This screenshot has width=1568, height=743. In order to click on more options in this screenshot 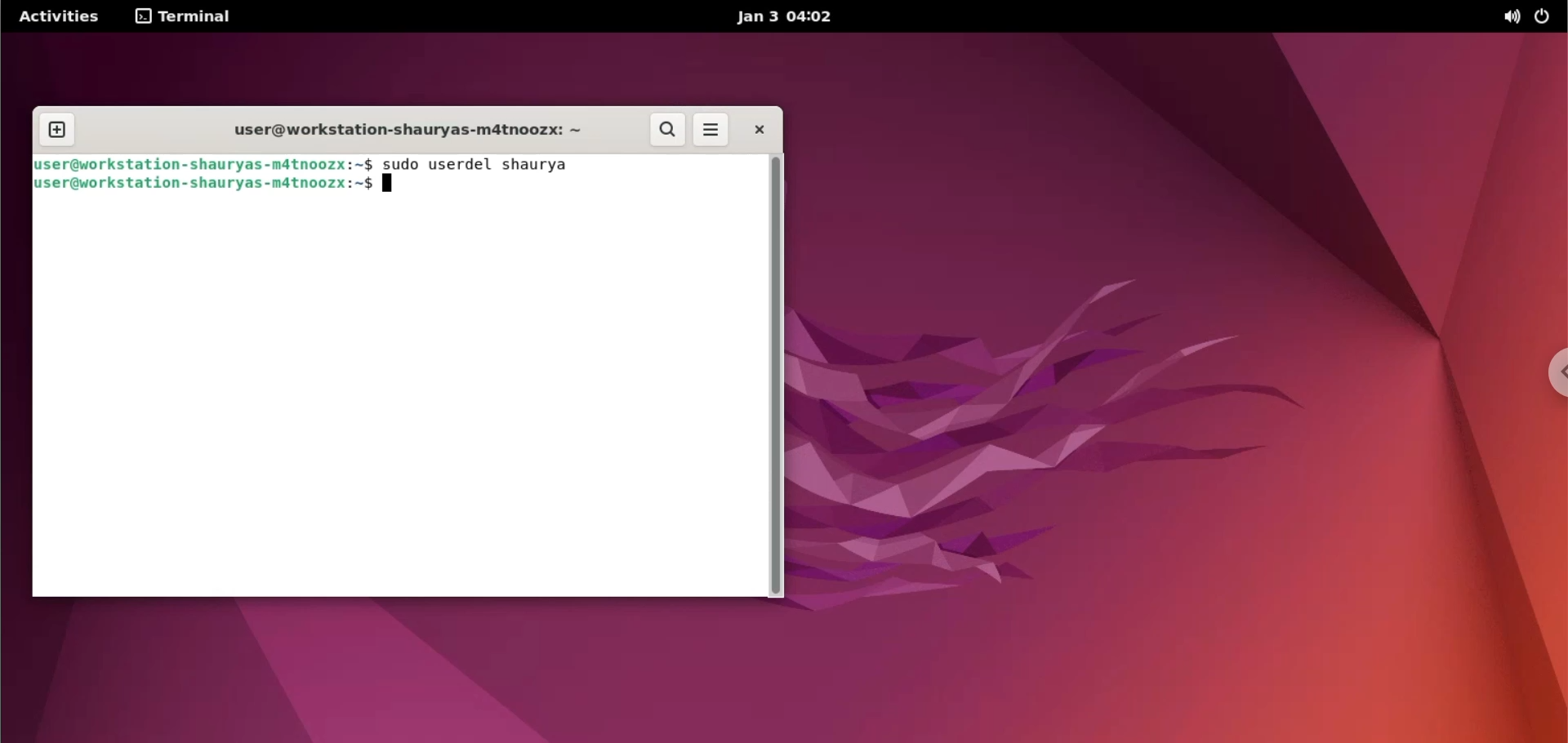, I will do `click(712, 129)`.